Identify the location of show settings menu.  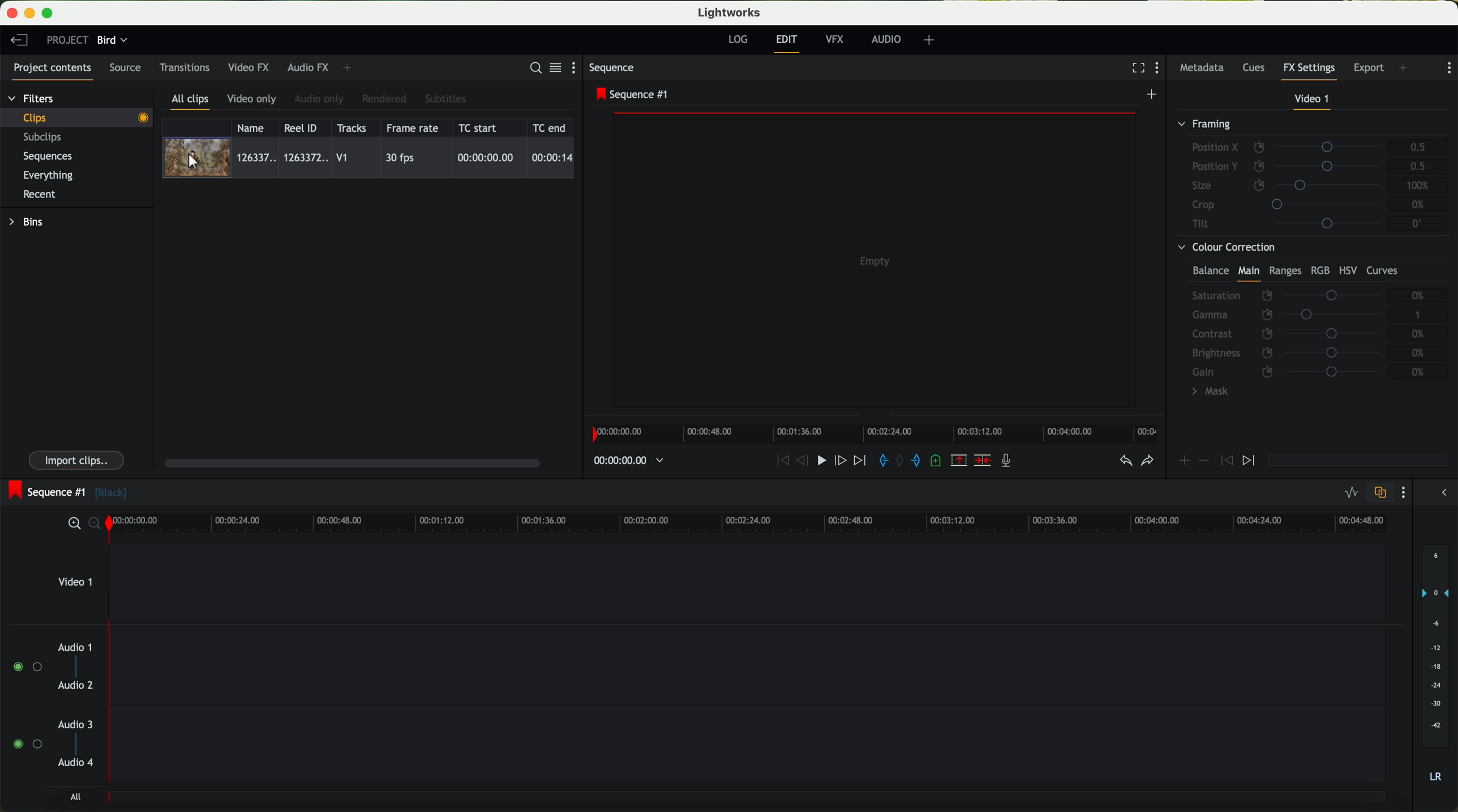
(1402, 492).